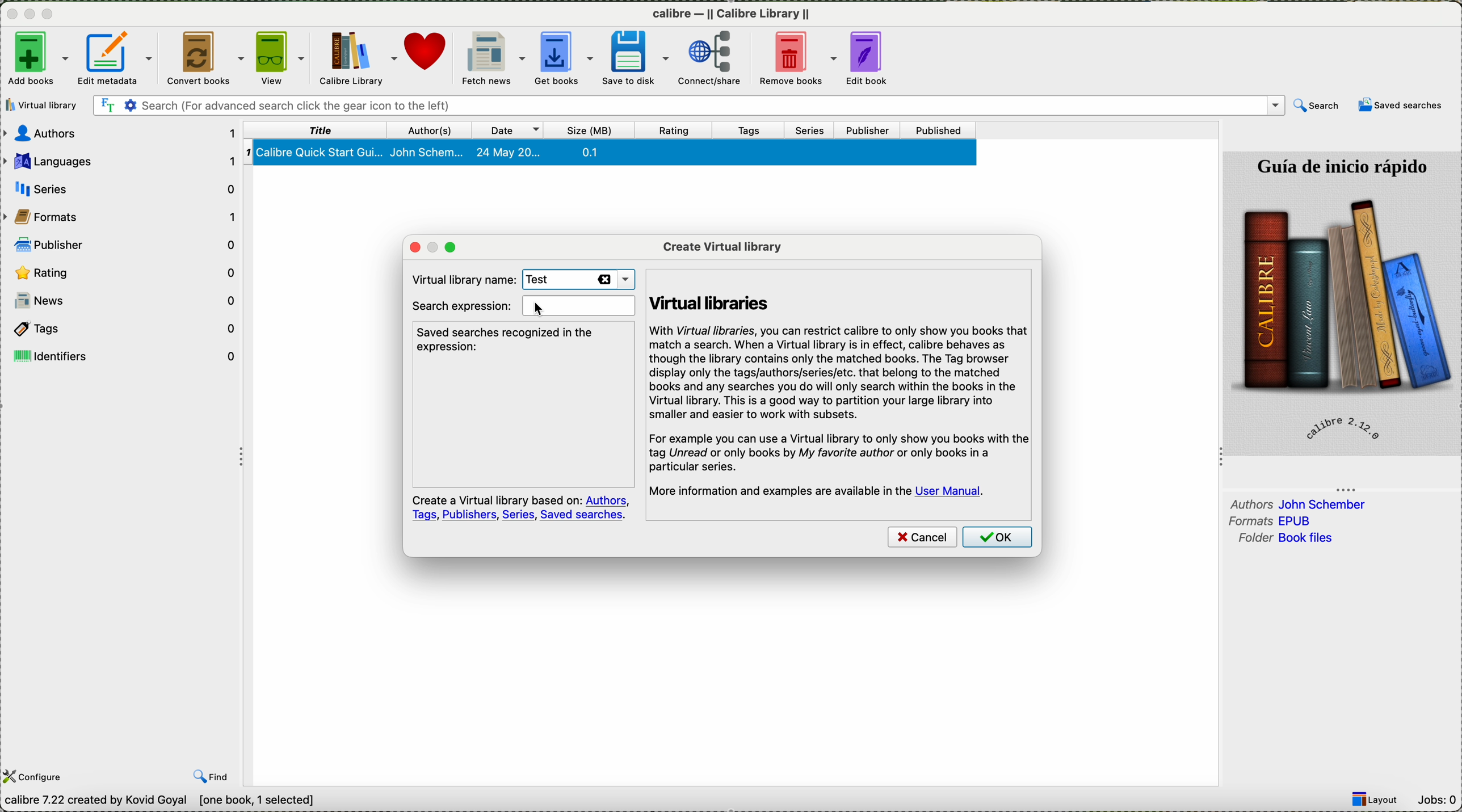 This screenshot has width=1462, height=812. I want to click on maximize program, so click(50, 14).